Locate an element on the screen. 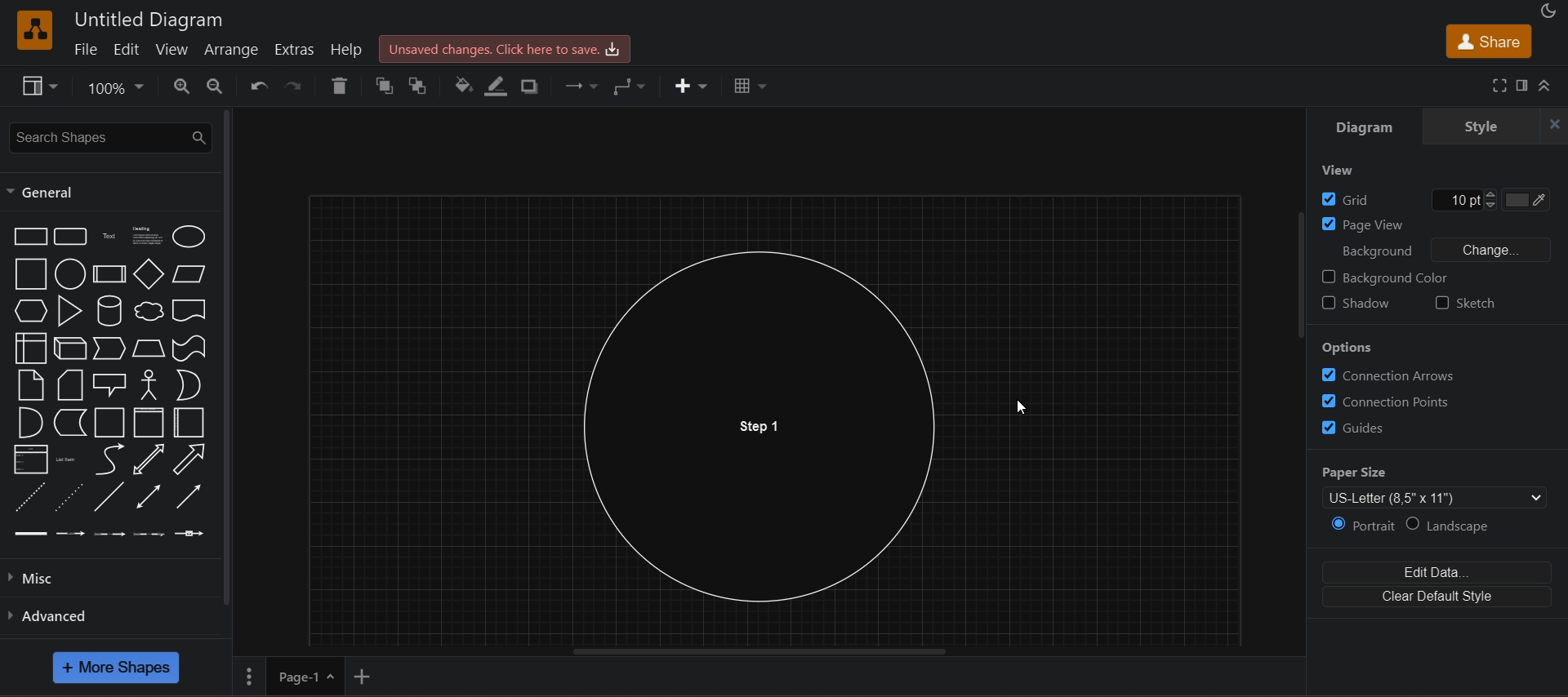  cursor is located at coordinates (1020, 406).